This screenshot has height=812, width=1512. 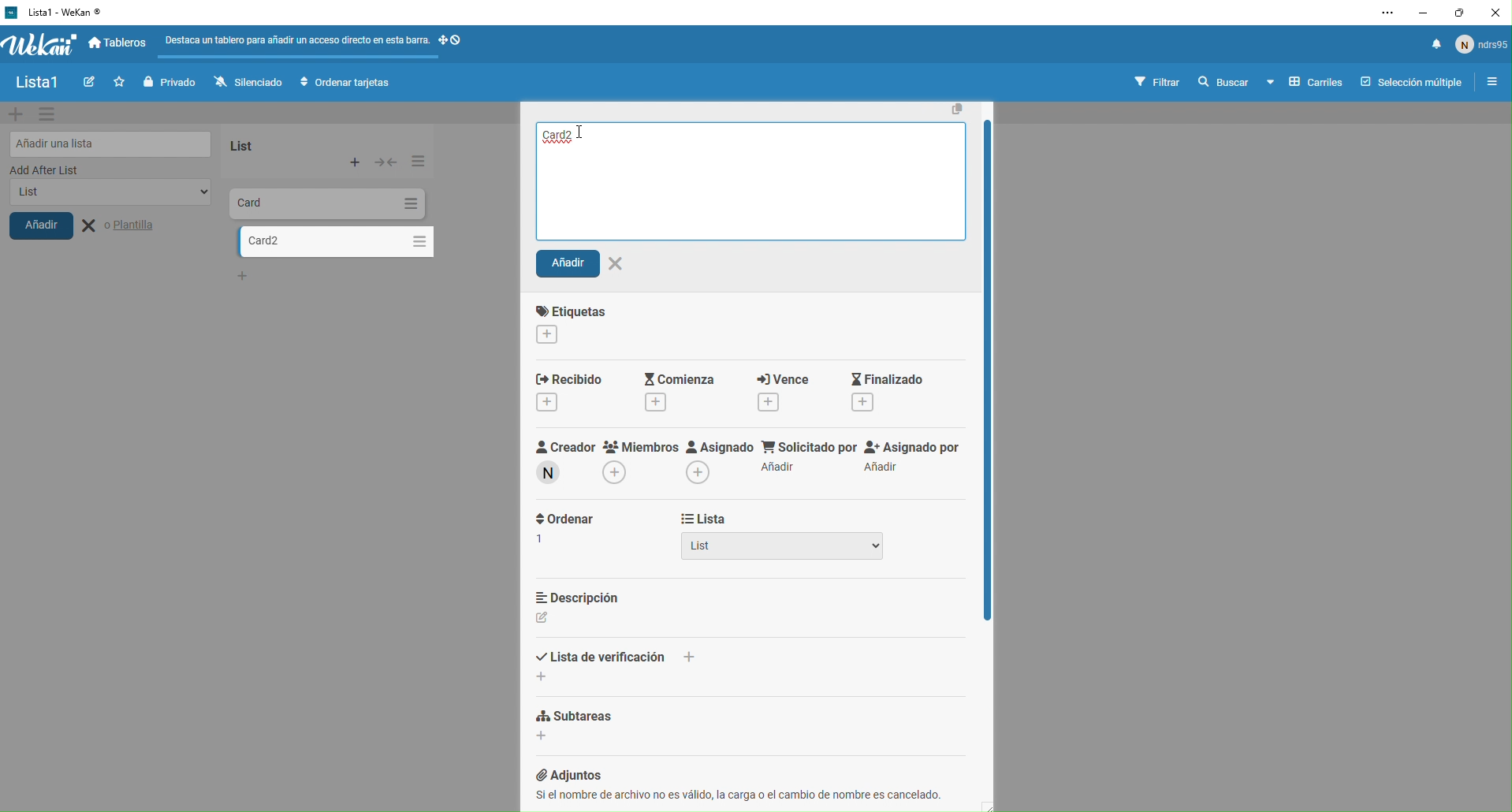 What do you see at coordinates (105, 197) in the screenshot?
I see `list` at bounding box center [105, 197].